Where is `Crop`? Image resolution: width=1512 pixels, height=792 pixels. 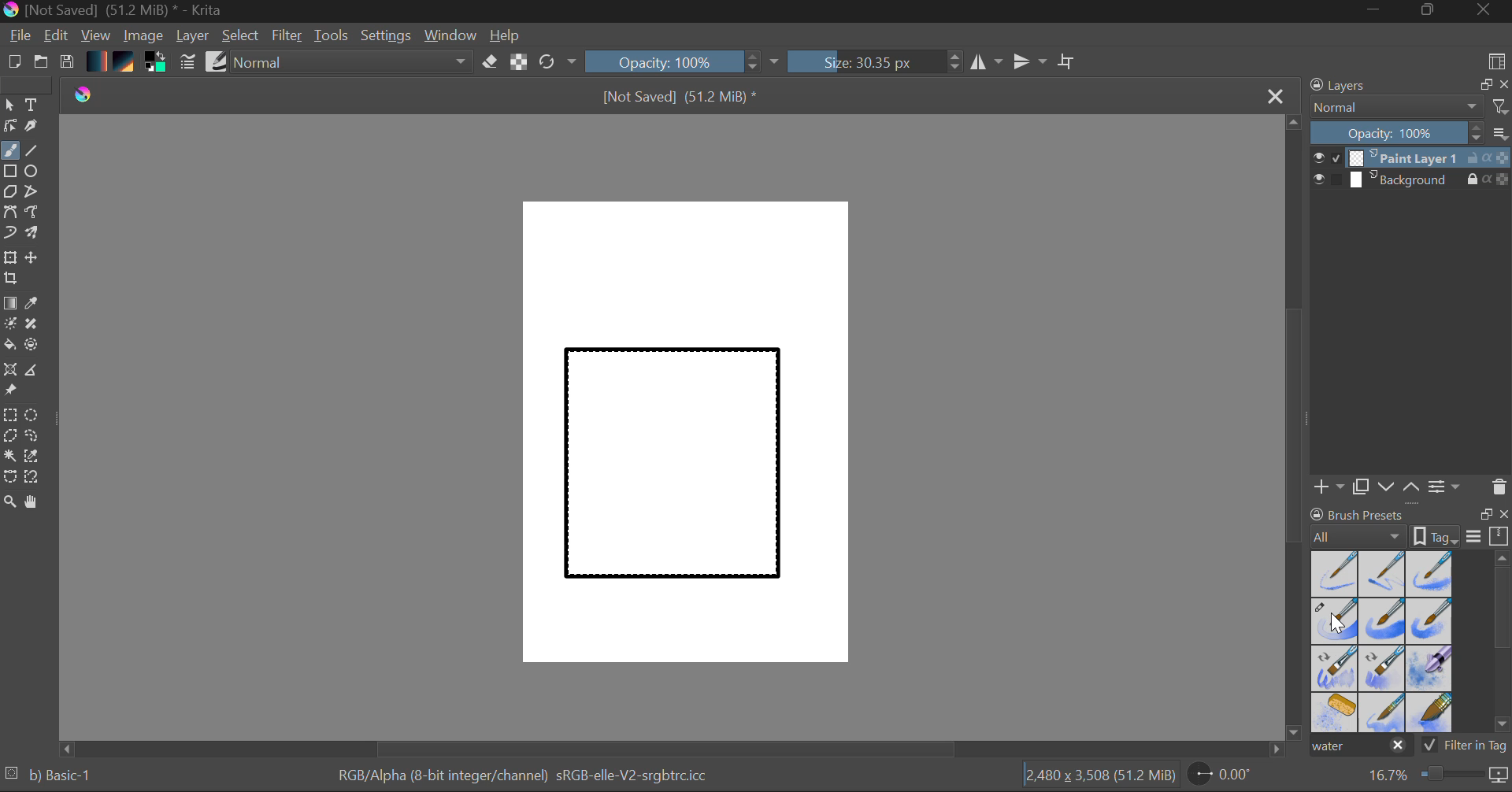
Crop is located at coordinates (13, 279).